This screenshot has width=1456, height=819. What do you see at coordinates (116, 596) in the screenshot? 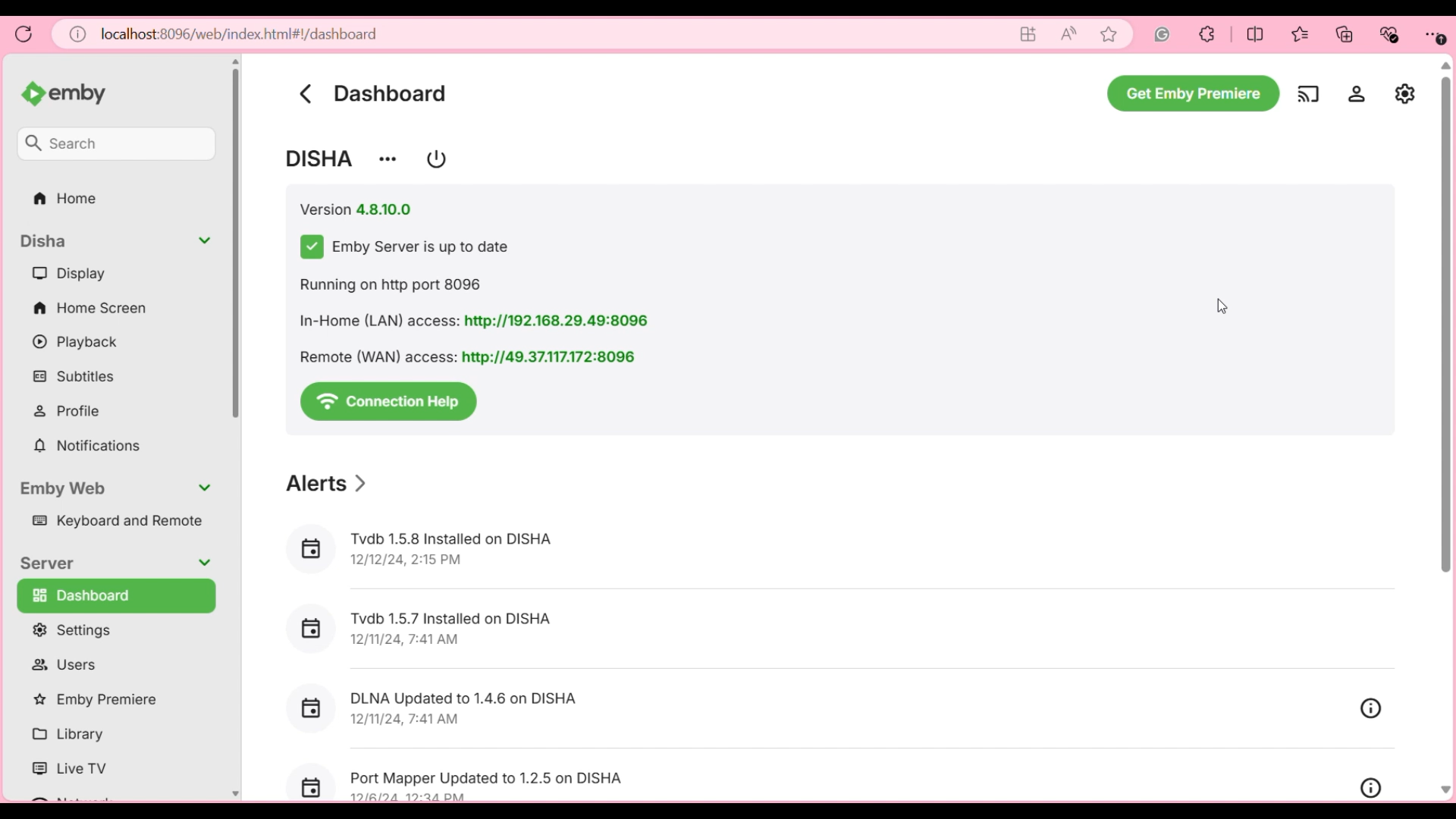
I see `Dashboard, current selection highlighted` at bounding box center [116, 596].